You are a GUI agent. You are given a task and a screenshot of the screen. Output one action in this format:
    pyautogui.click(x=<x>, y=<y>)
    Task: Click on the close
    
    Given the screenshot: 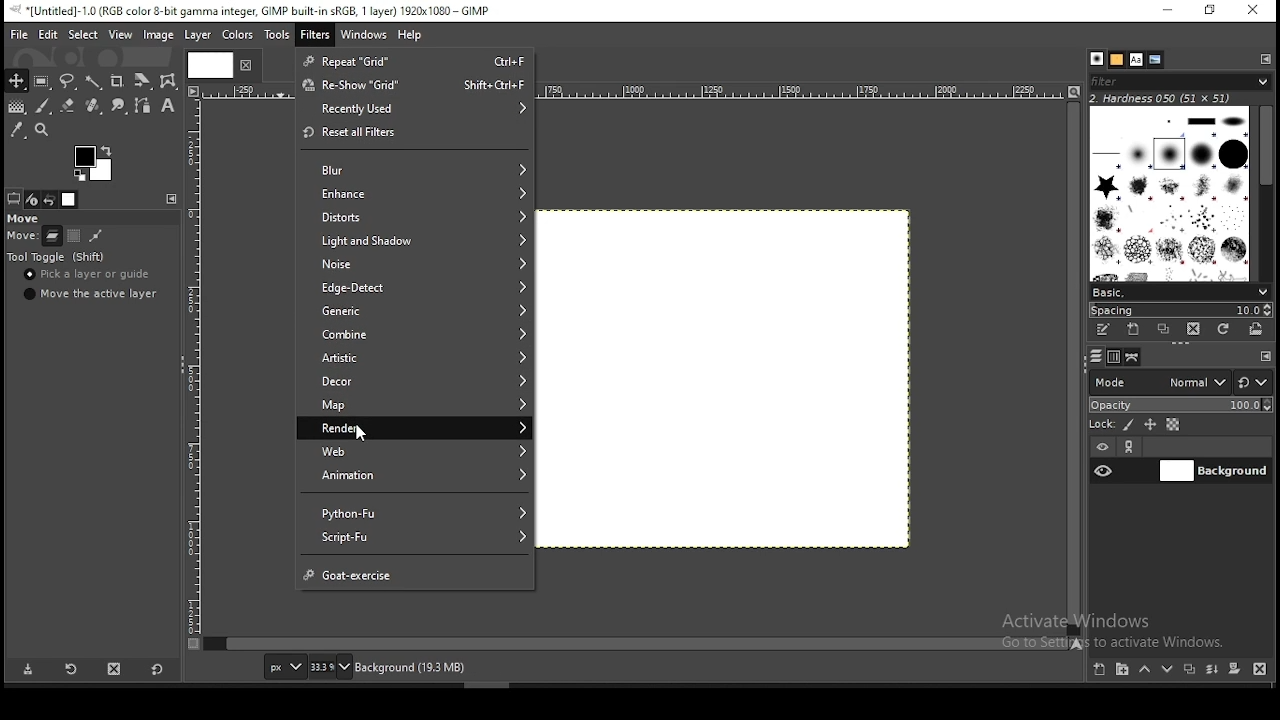 What is the action you would take?
    pyautogui.click(x=244, y=65)
    